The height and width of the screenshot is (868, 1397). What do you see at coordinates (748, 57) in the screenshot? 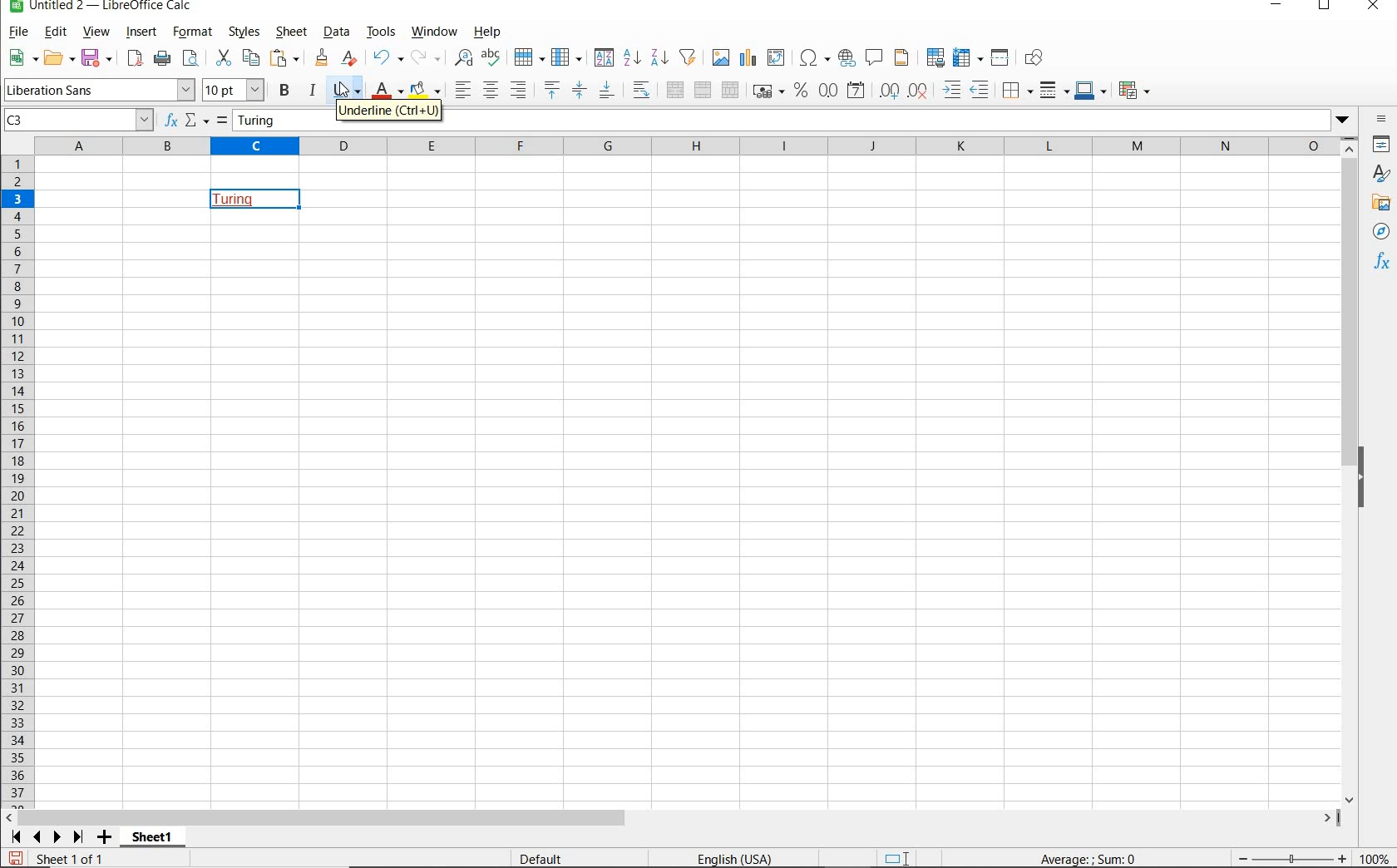
I see `INSERT CHAT` at bounding box center [748, 57].